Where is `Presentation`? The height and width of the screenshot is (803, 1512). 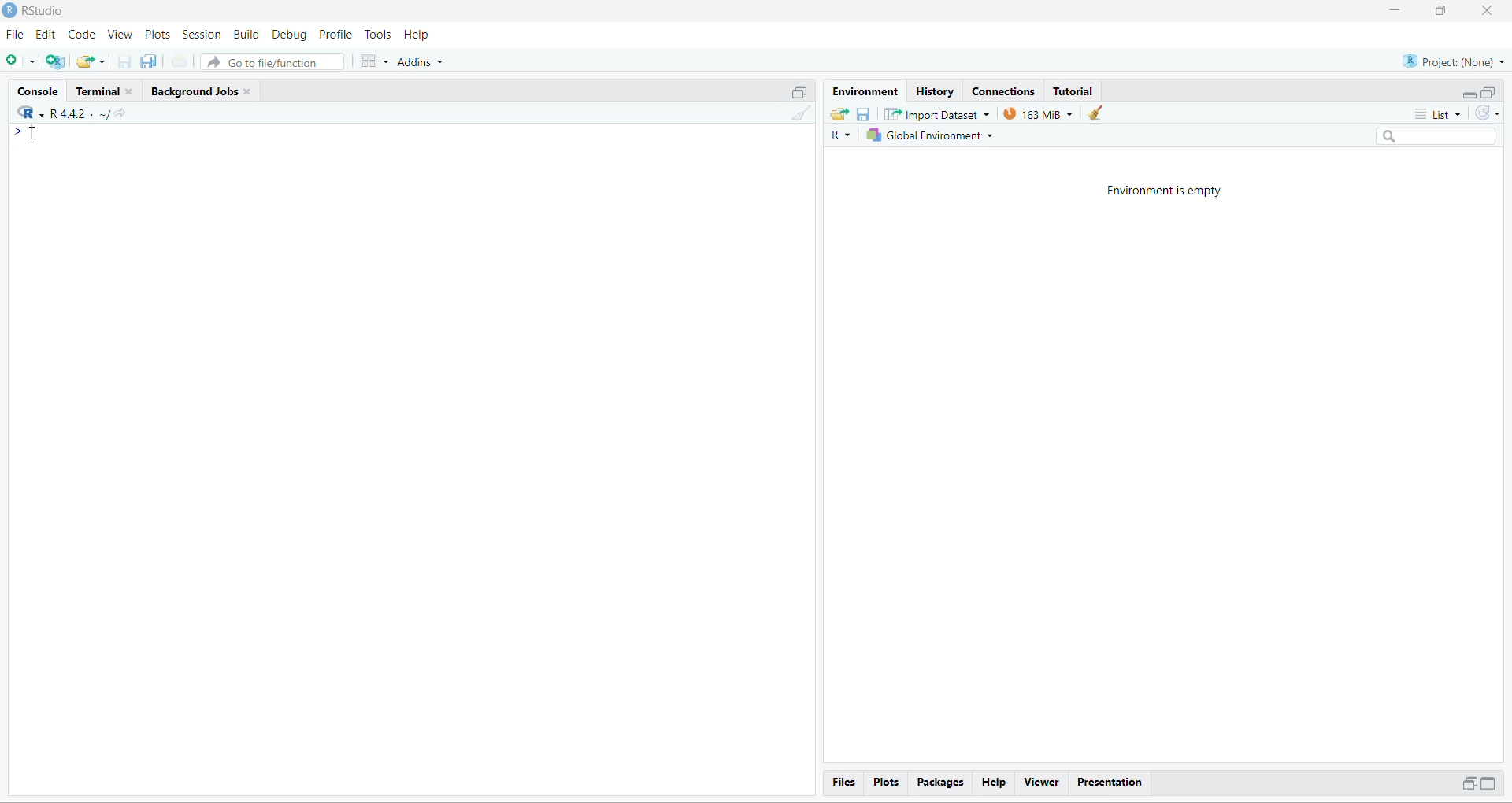 Presentation is located at coordinates (1111, 783).